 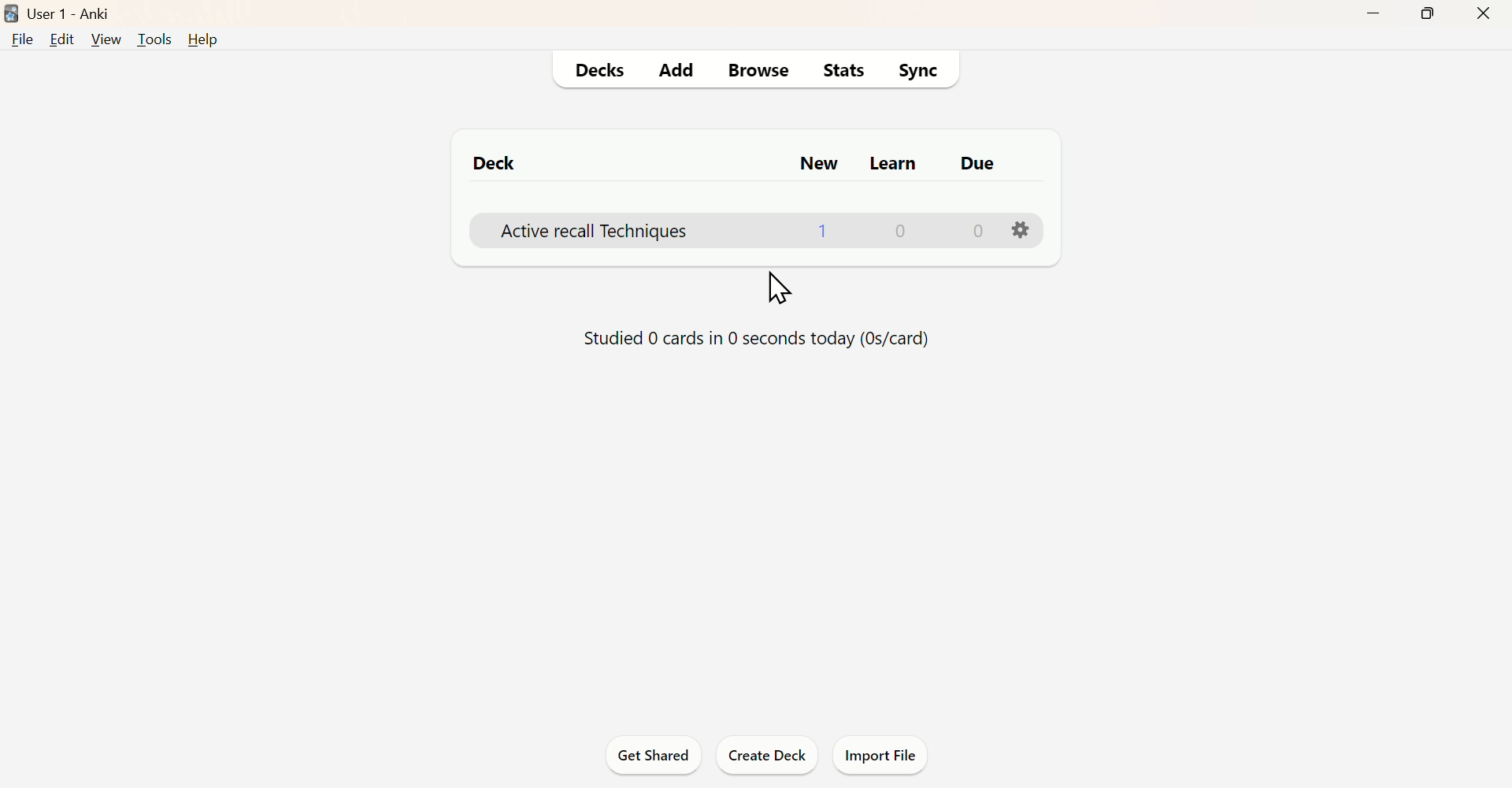 What do you see at coordinates (976, 165) in the screenshot?
I see `Due` at bounding box center [976, 165].